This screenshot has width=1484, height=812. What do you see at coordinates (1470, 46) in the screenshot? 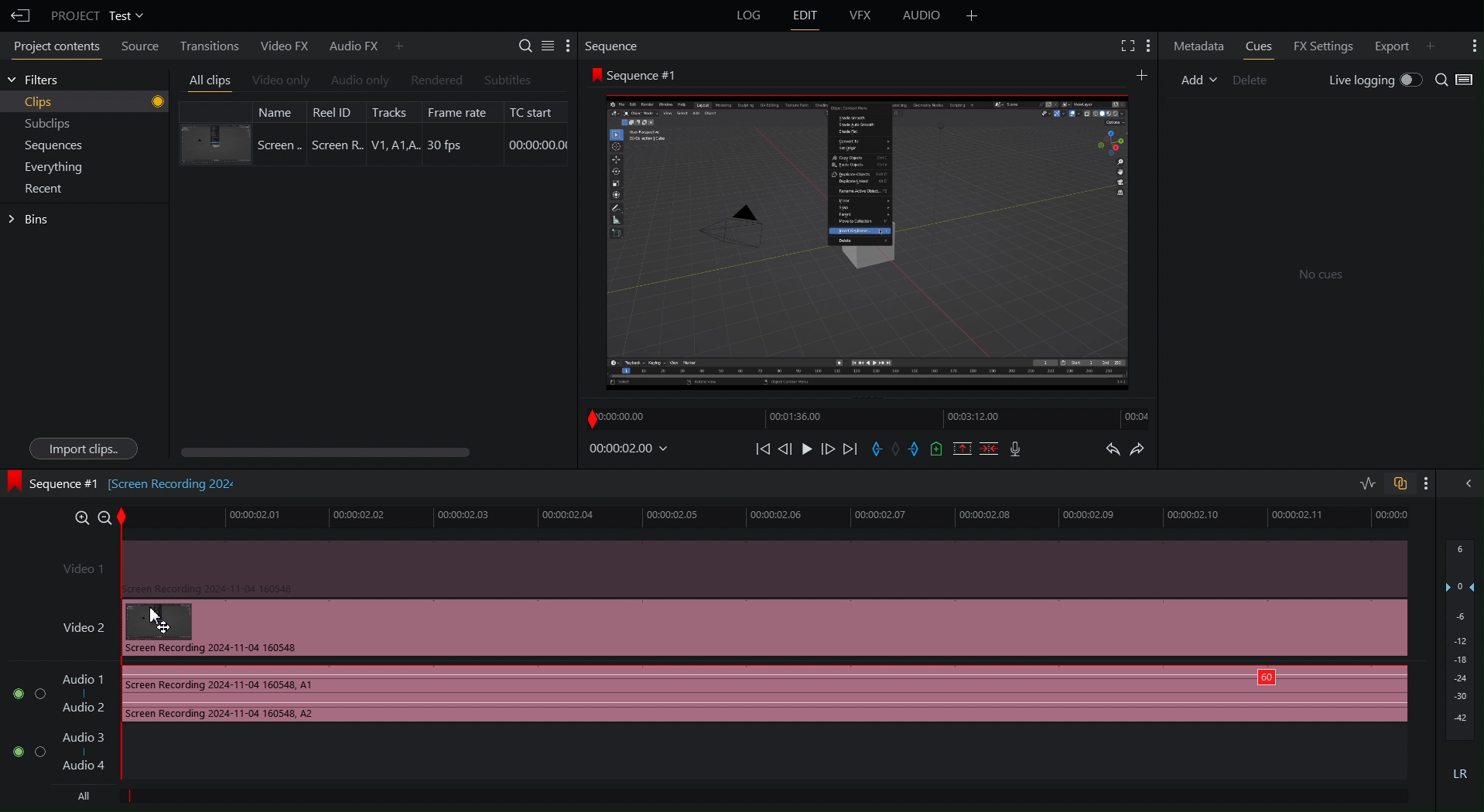
I see `More` at bounding box center [1470, 46].